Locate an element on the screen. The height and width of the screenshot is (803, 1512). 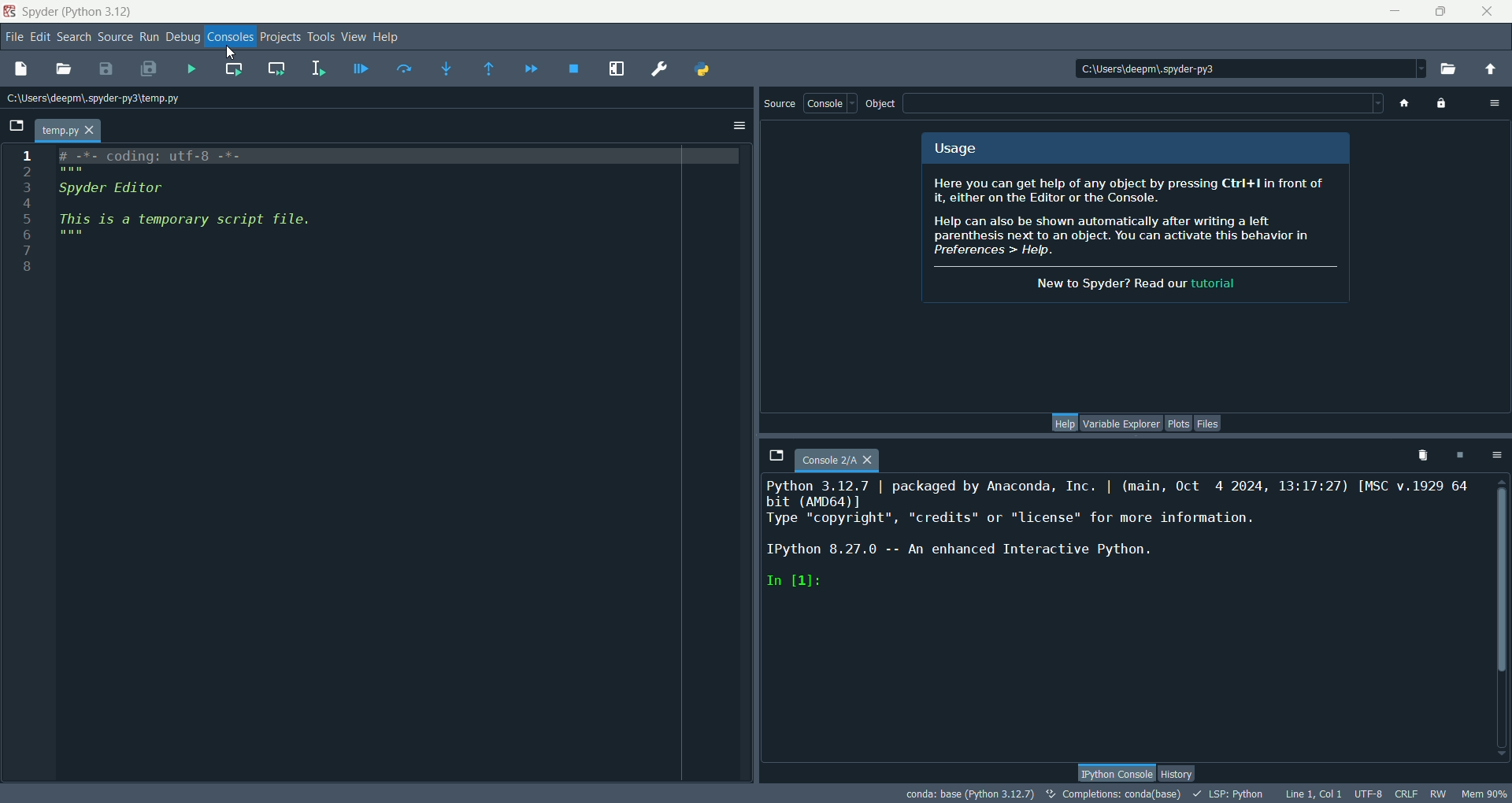
stop debugging is located at coordinates (574, 71).